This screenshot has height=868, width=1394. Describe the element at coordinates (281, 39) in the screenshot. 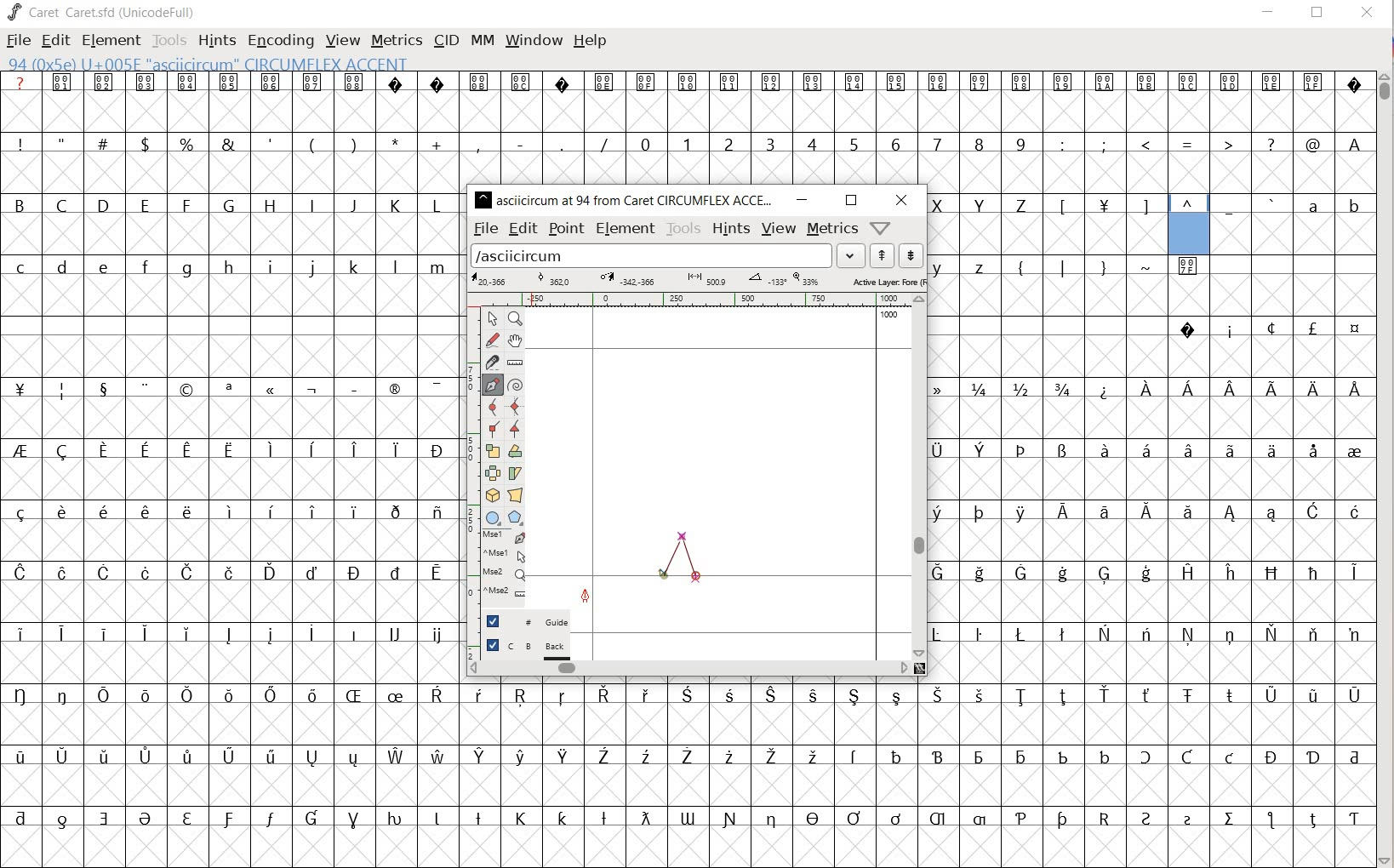

I see `ENCODING` at that location.